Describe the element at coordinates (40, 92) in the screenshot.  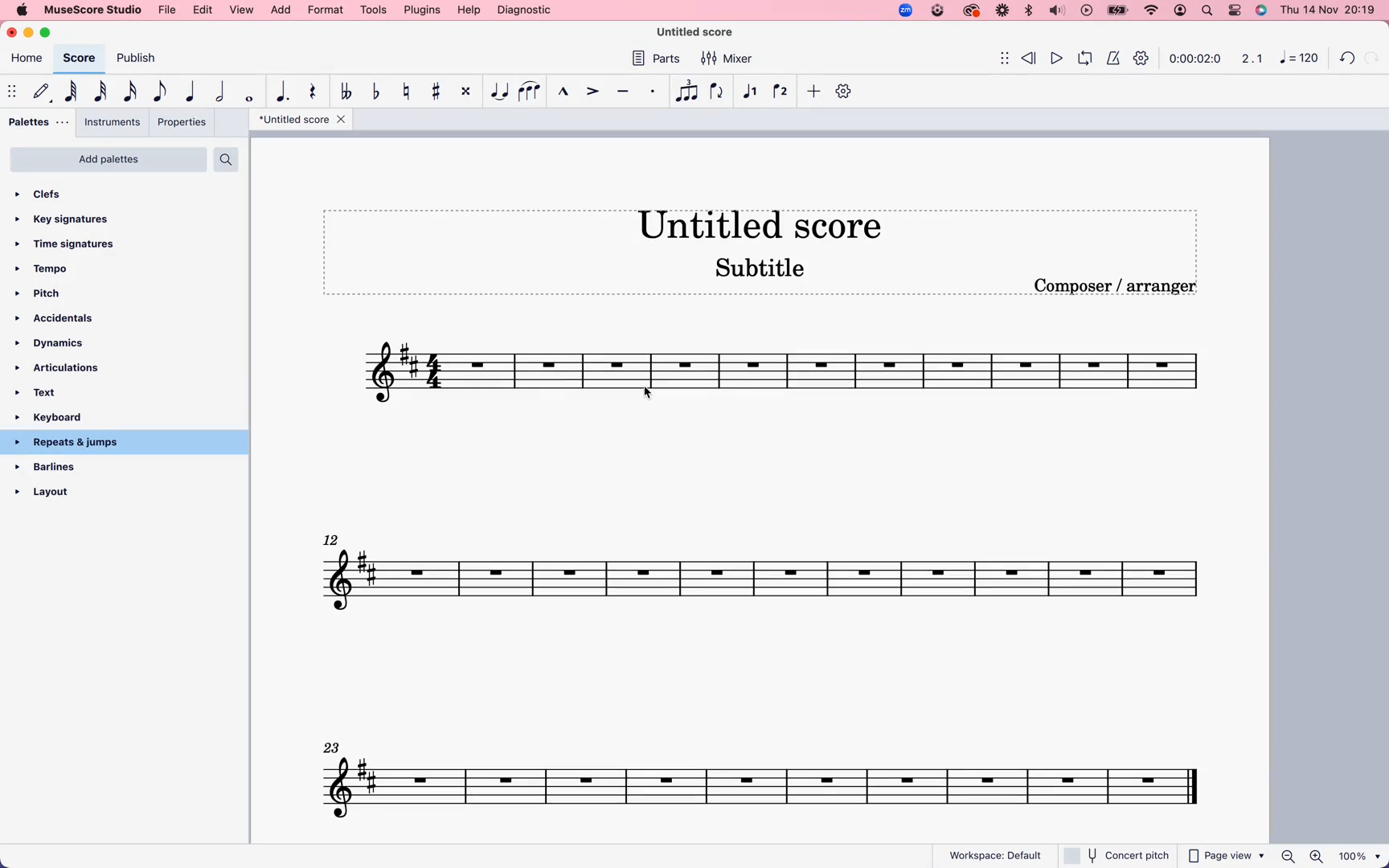
I see `default` at that location.